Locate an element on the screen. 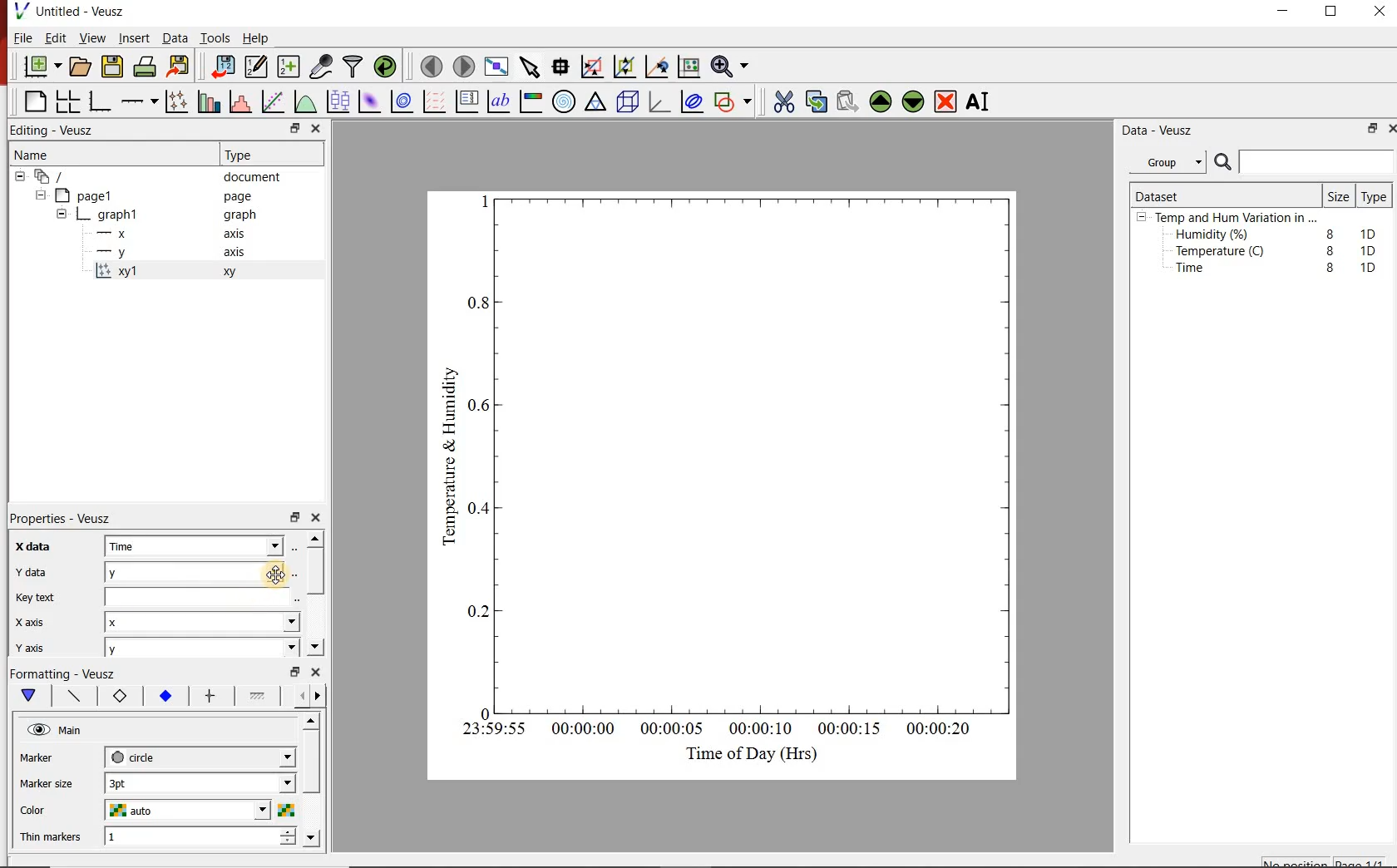  auto is located at coordinates (134, 811).